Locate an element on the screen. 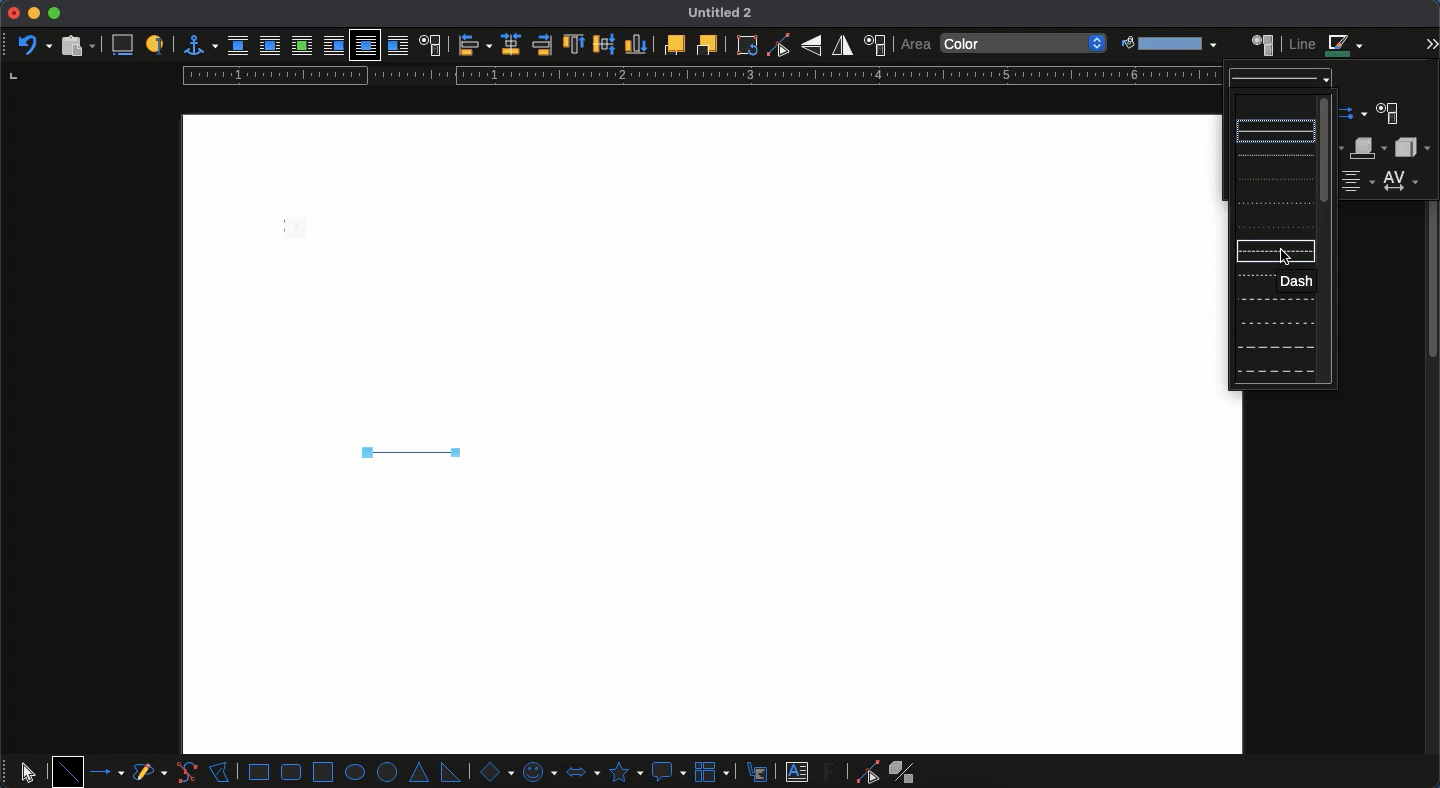 The image size is (1440, 788). dash is located at coordinates (1297, 281).